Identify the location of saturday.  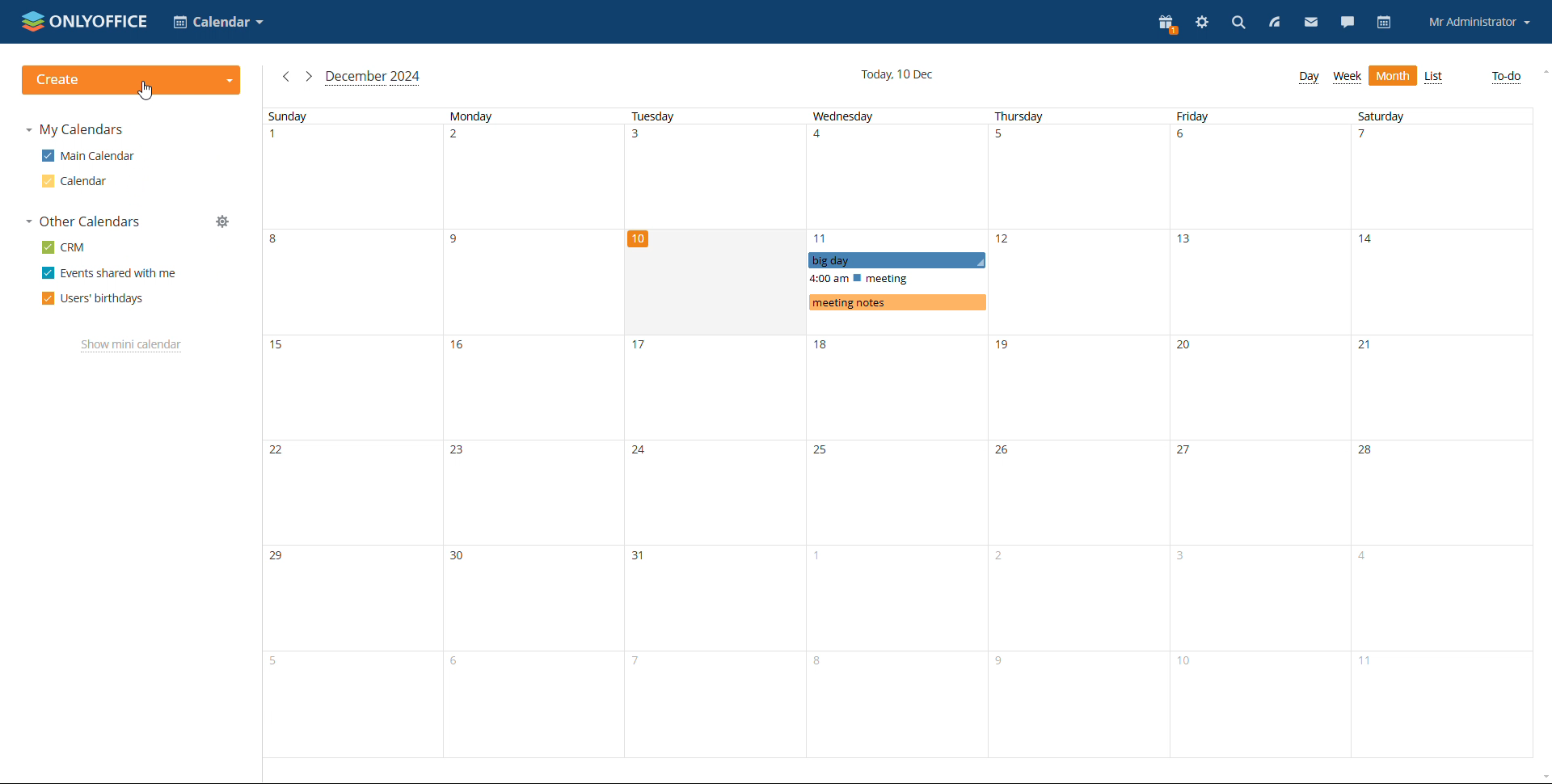
(1439, 433).